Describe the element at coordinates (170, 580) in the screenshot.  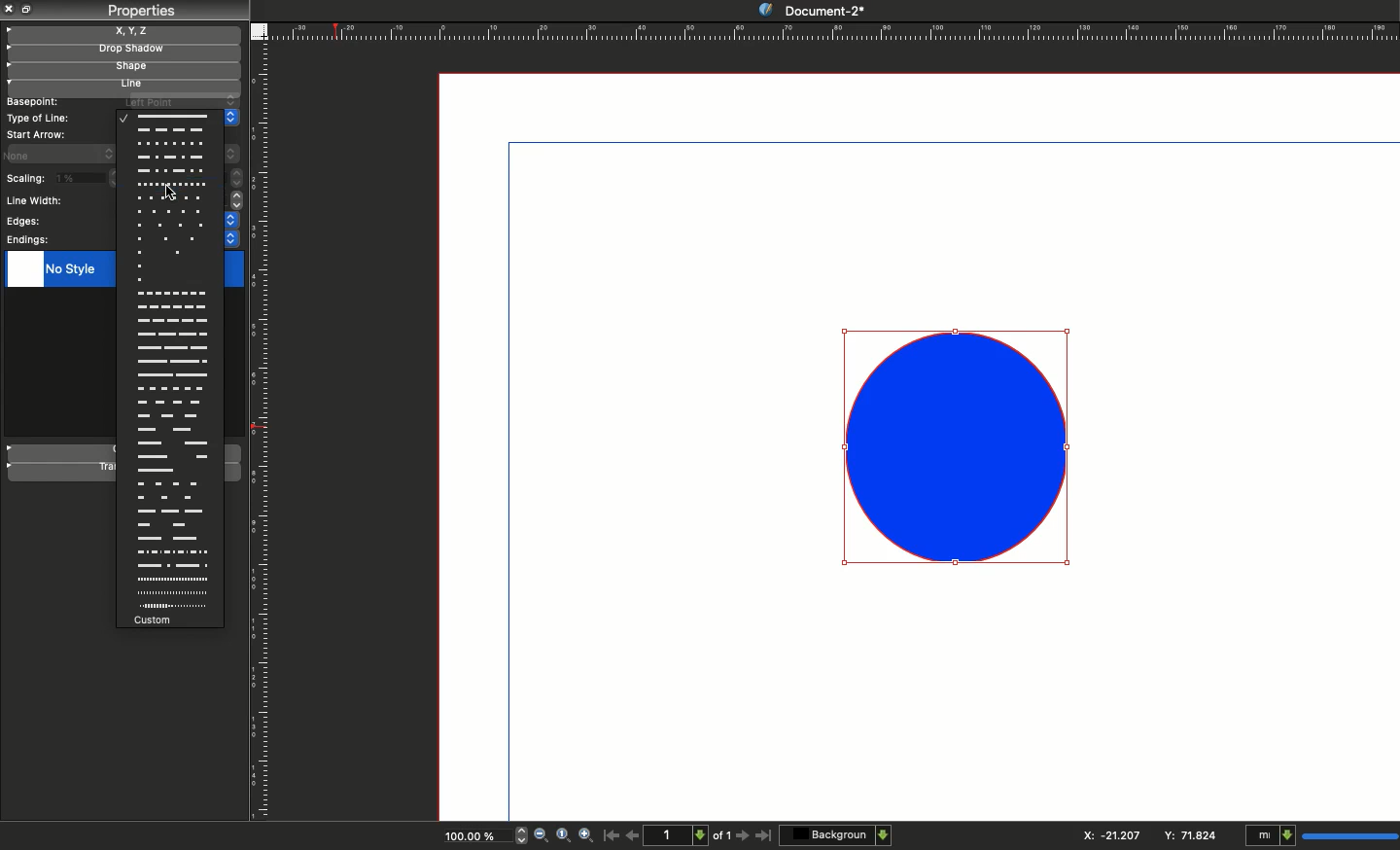
I see `line option` at that location.